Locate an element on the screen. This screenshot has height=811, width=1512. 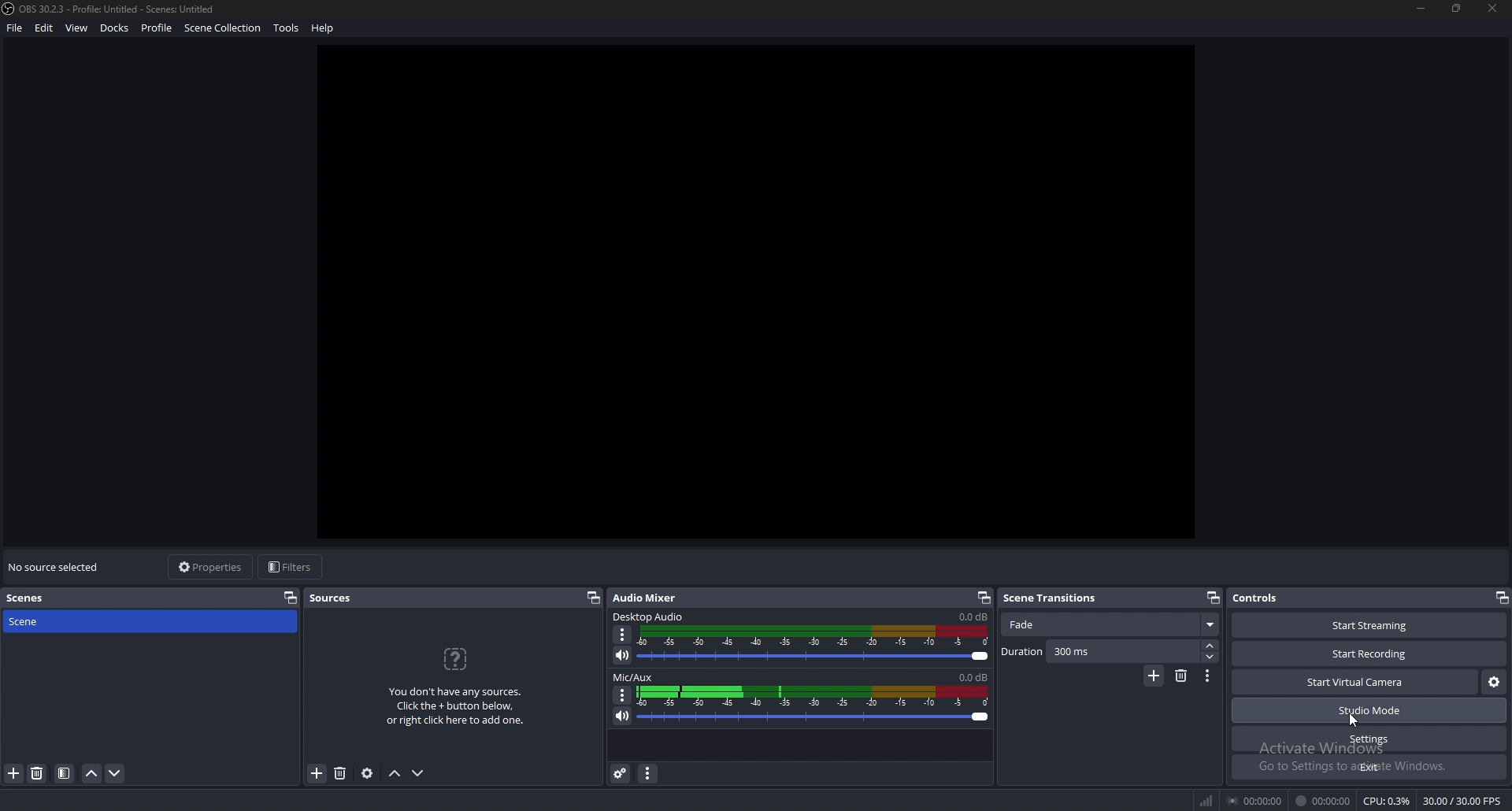
add source is located at coordinates (317, 773).